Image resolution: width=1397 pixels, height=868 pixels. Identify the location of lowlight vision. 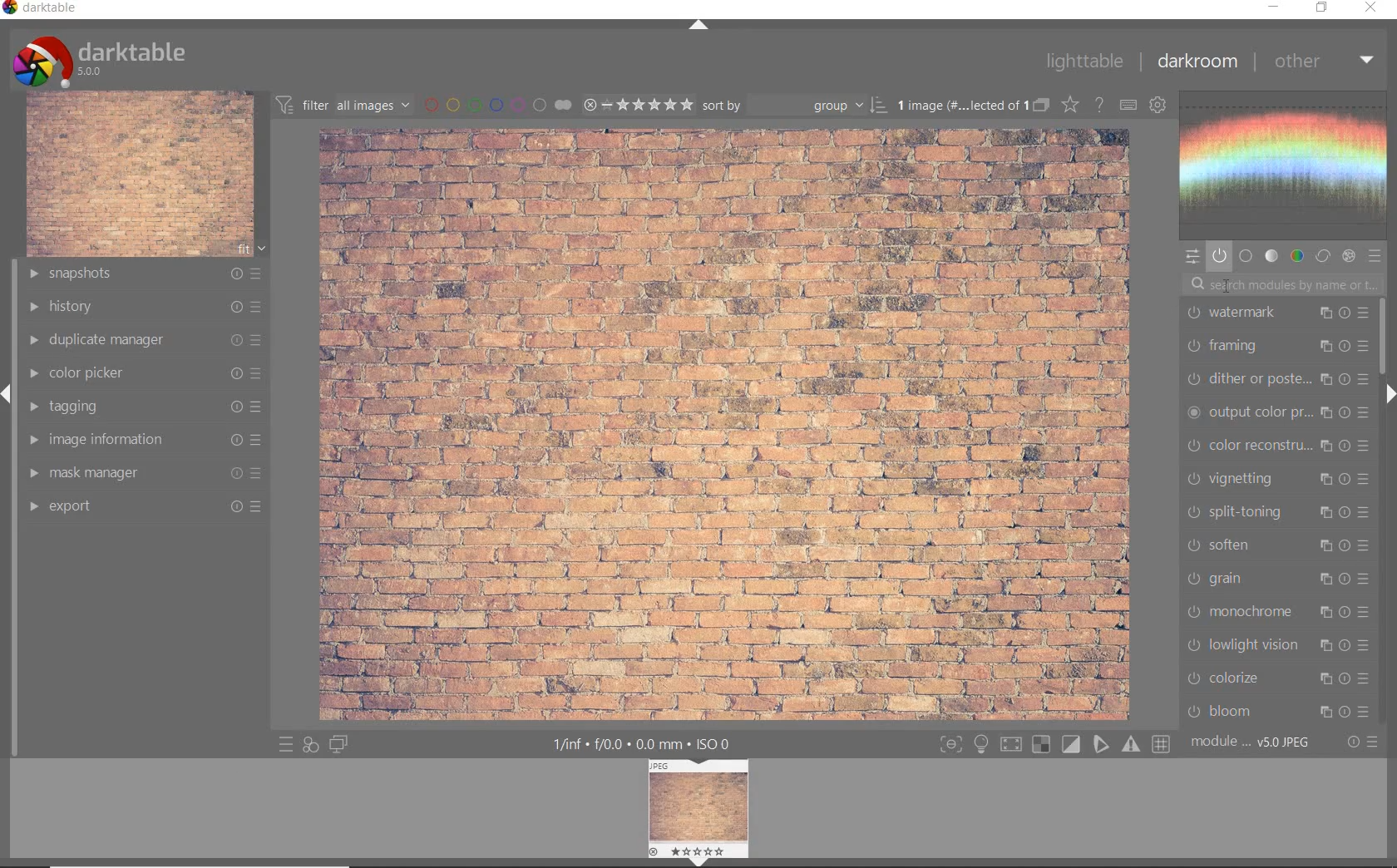
(1278, 648).